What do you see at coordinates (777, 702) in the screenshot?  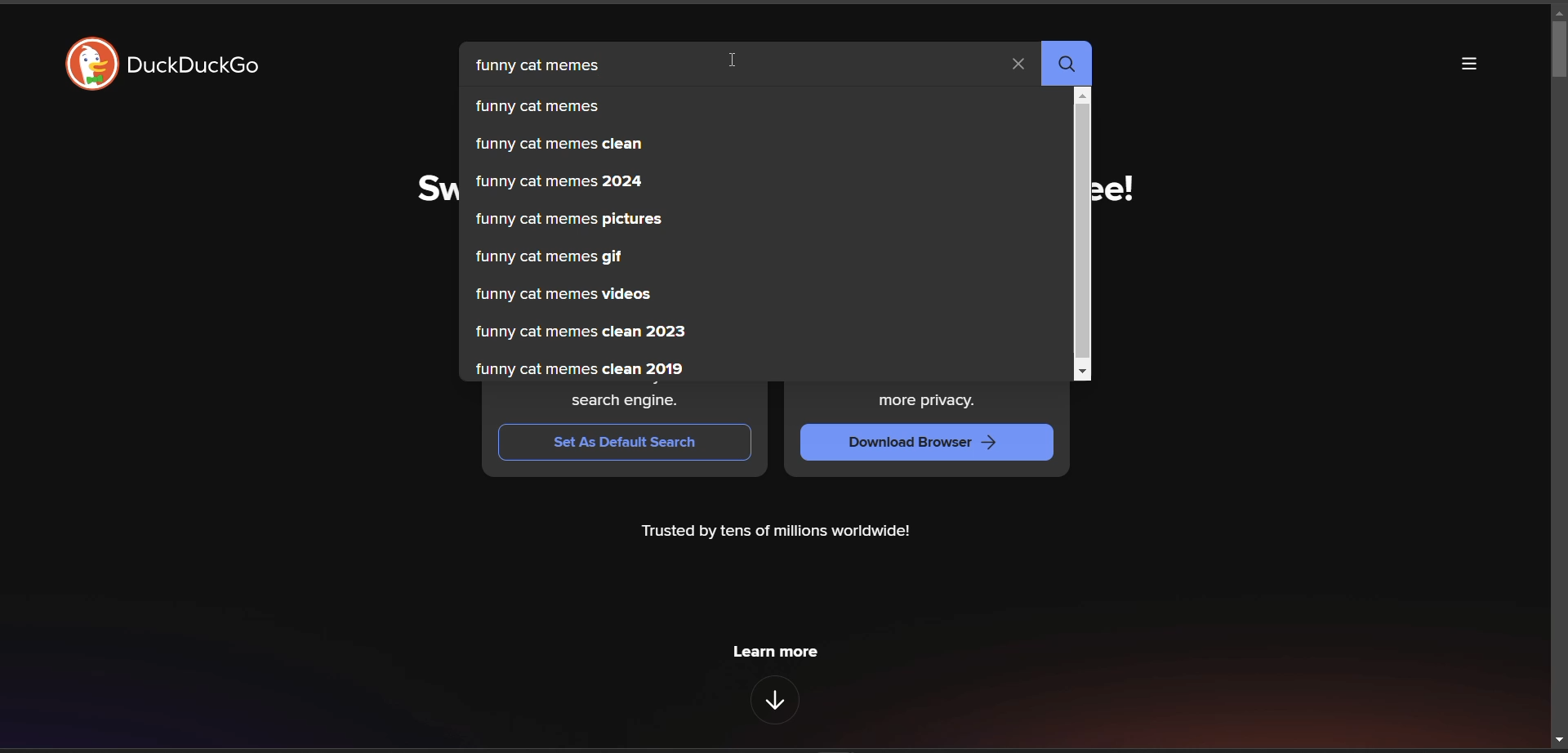 I see `features` at bounding box center [777, 702].